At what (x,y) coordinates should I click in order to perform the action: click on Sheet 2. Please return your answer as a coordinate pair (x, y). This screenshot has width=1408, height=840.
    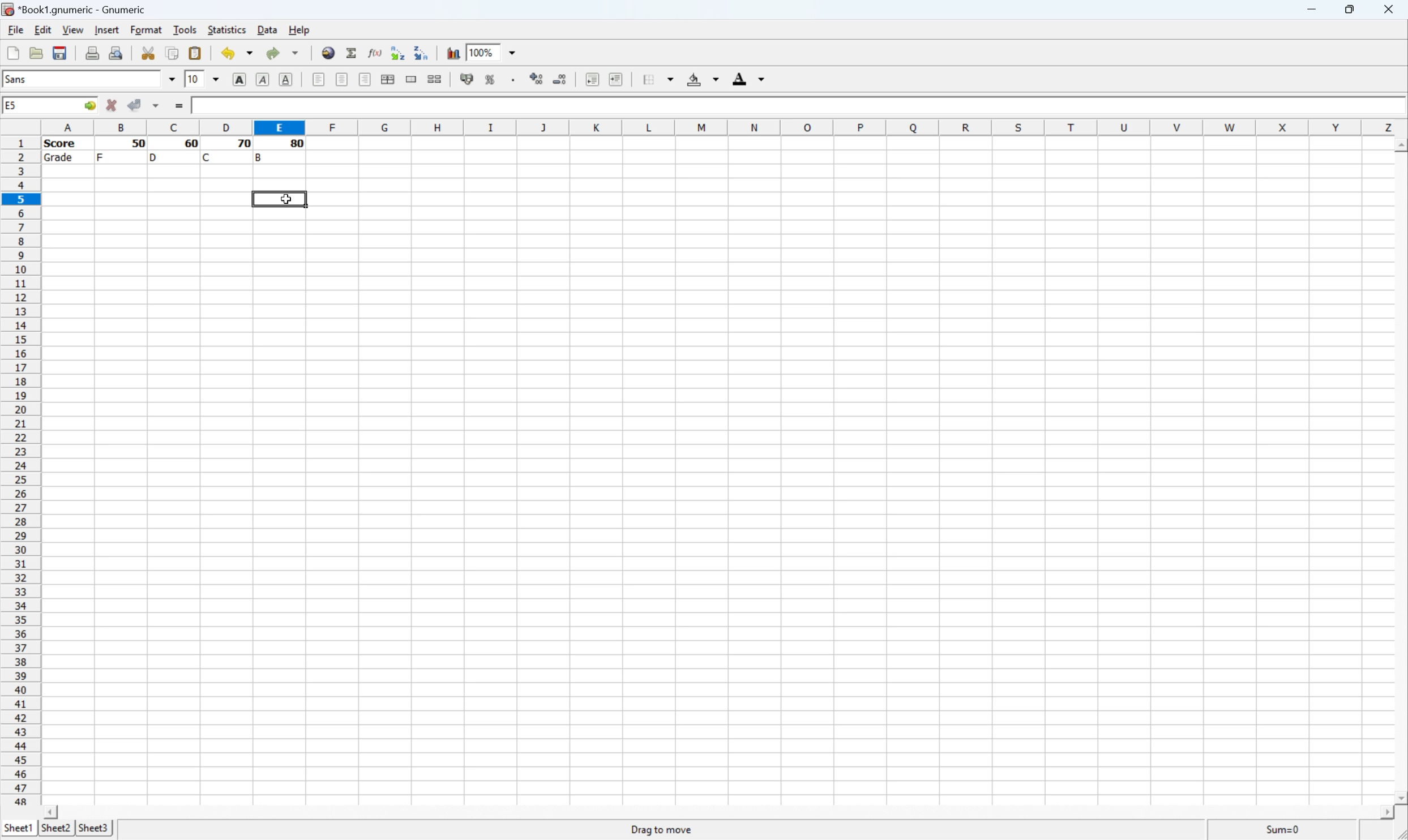
    Looking at the image, I should click on (57, 827).